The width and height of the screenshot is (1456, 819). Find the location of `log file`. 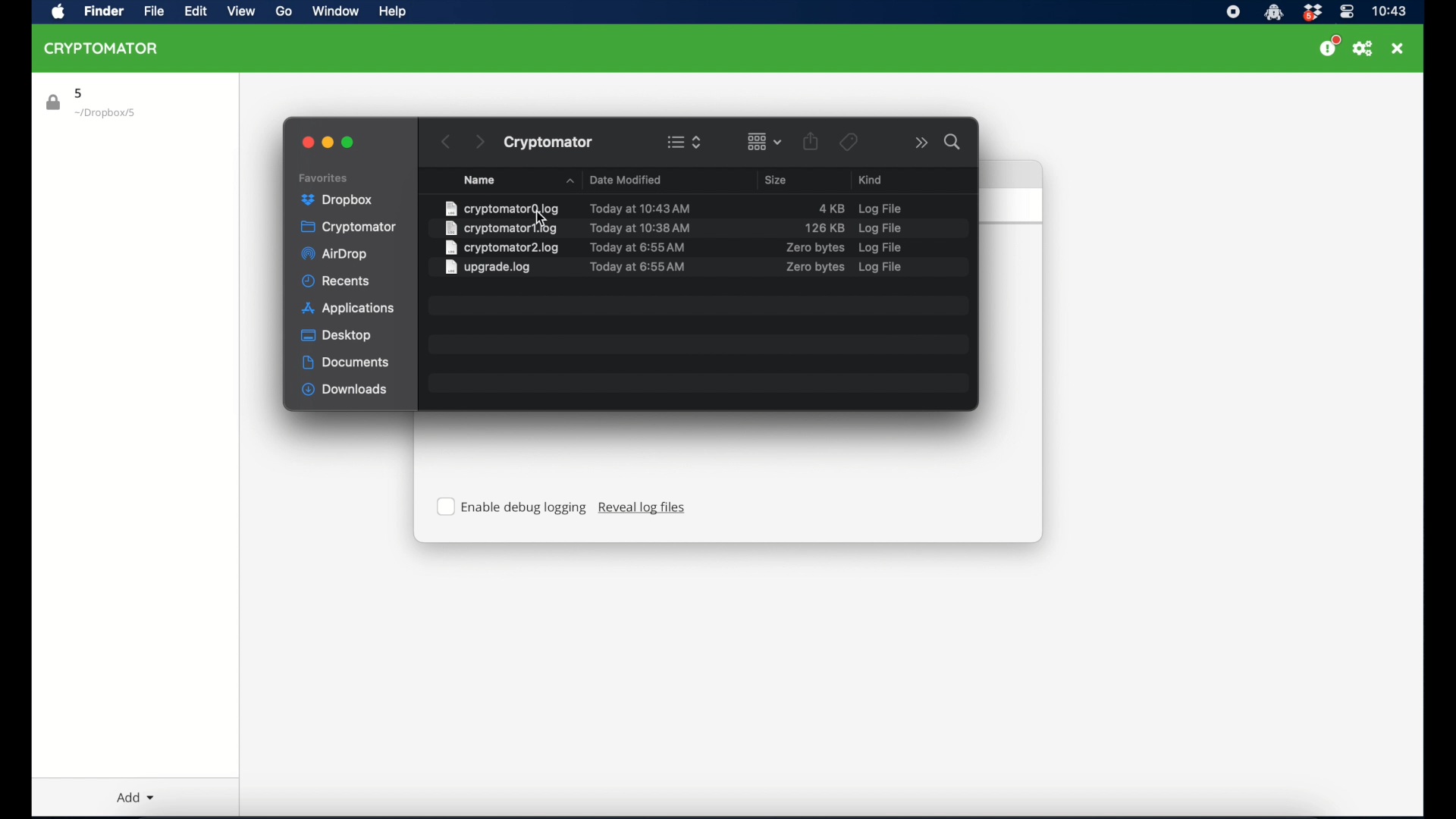

log file is located at coordinates (880, 208).